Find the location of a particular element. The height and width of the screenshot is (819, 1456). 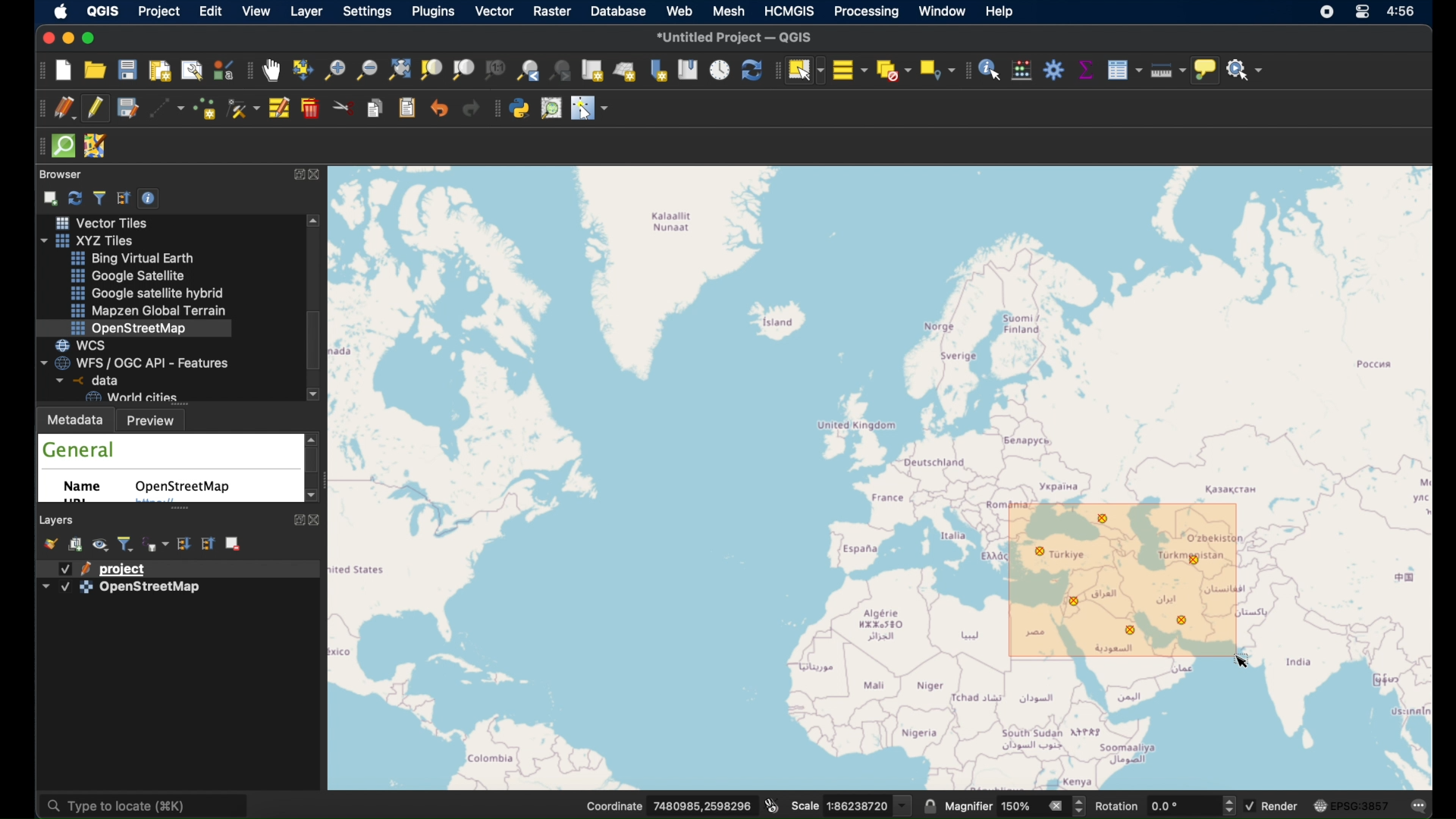

vector tiles is located at coordinates (99, 222).